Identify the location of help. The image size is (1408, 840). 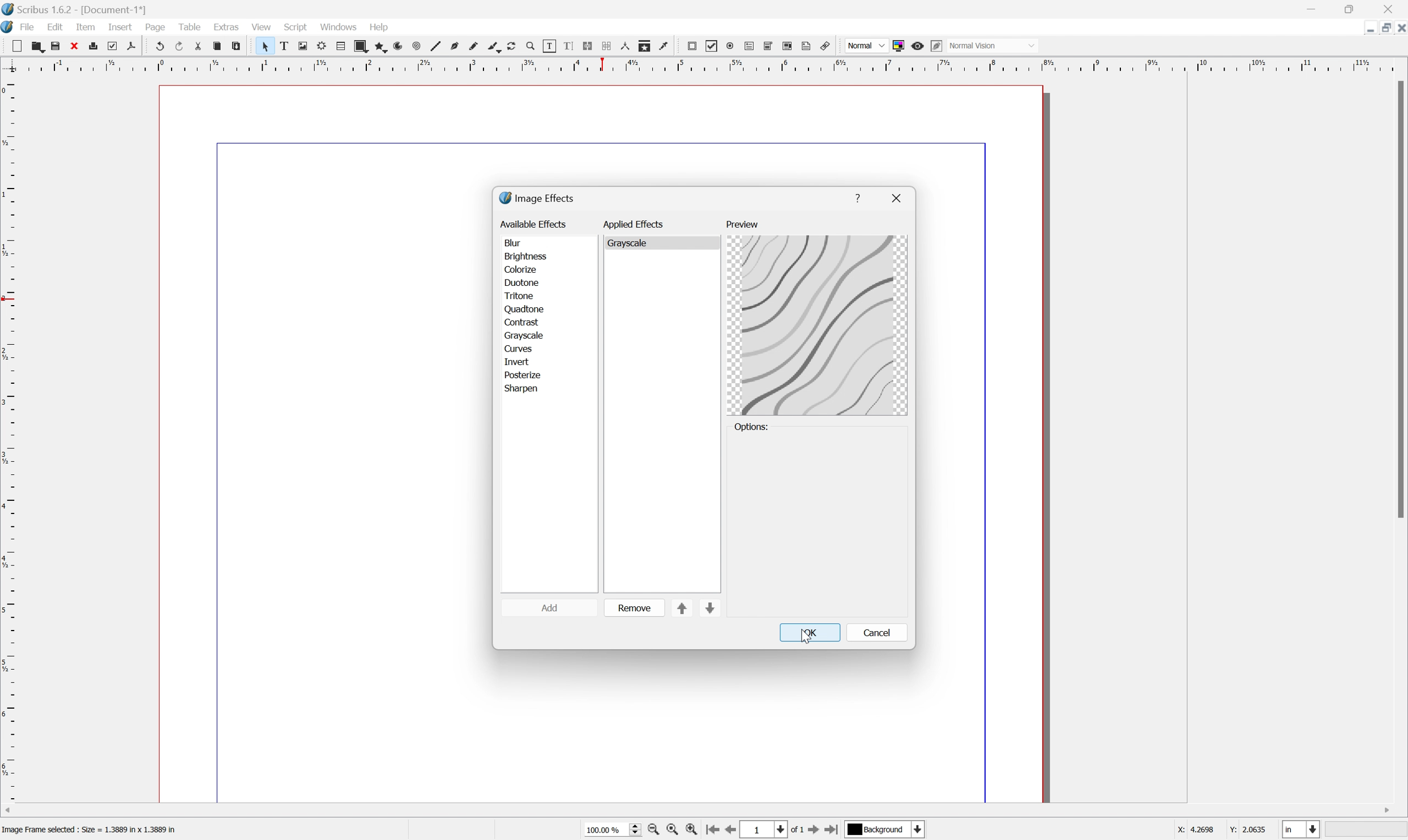
(858, 194).